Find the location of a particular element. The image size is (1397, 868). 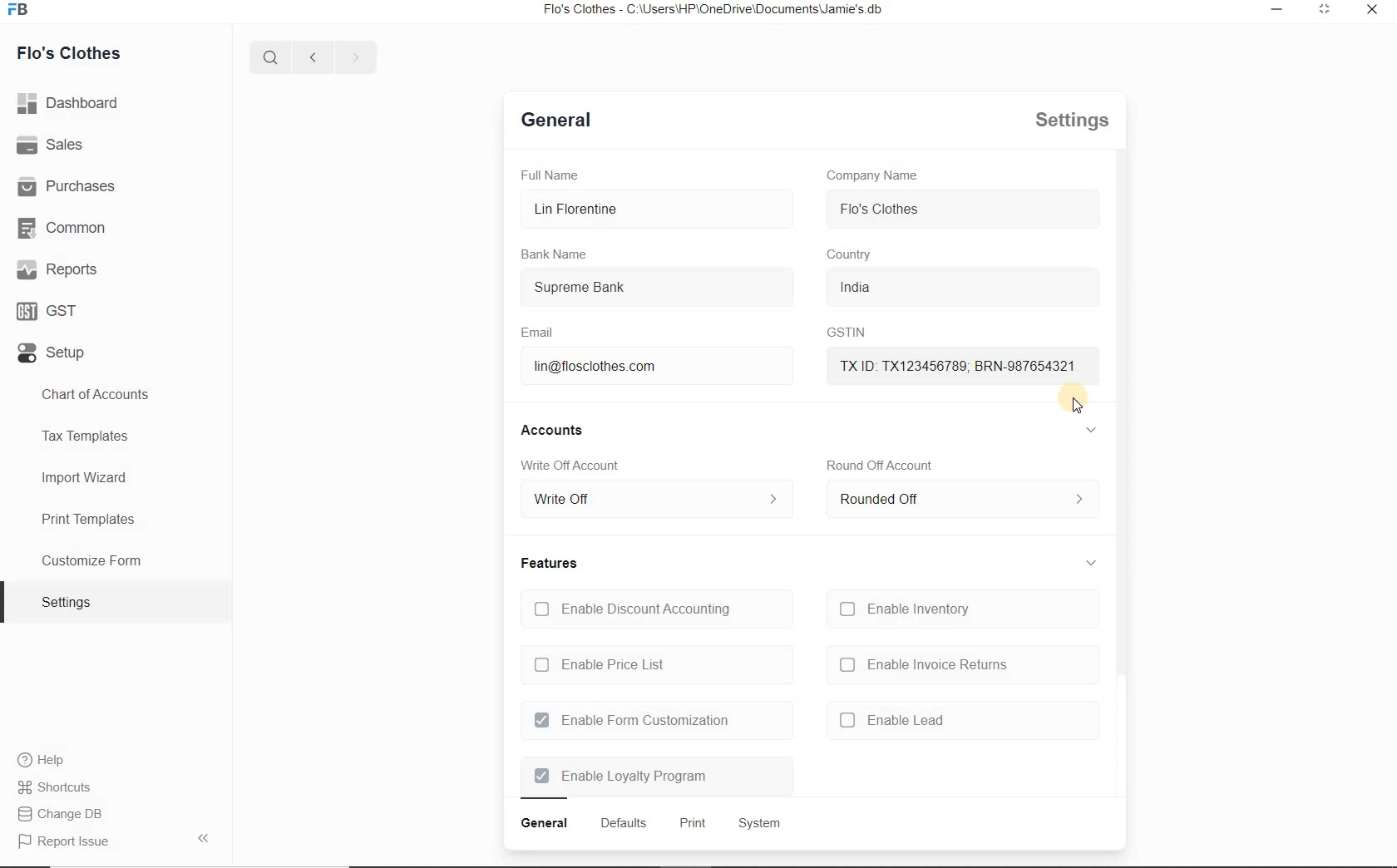

Print Templates is located at coordinates (86, 518).